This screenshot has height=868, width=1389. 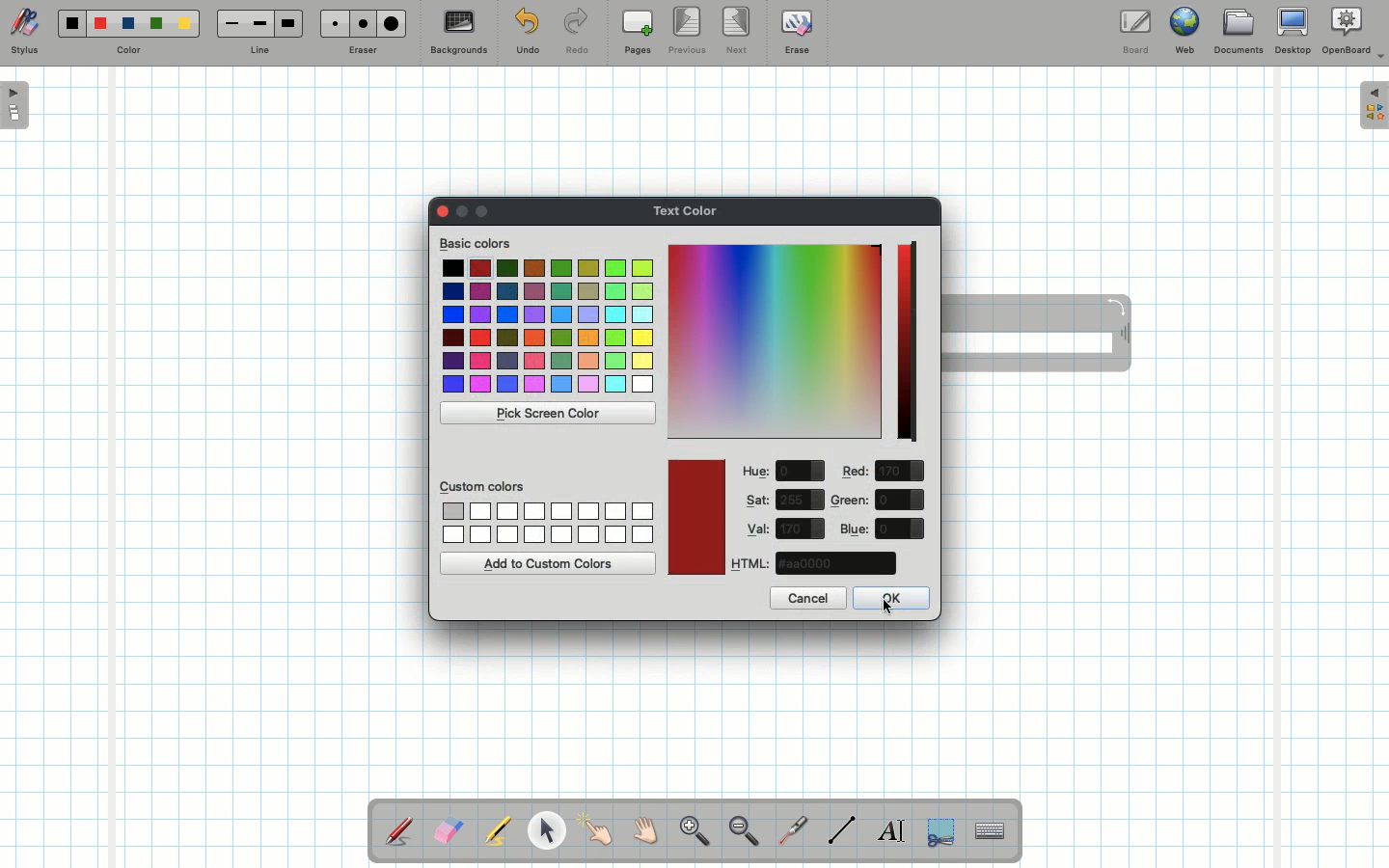 What do you see at coordinates (834, 563) in the screenshot?
I see `color code` at bounding box center [834, 563].